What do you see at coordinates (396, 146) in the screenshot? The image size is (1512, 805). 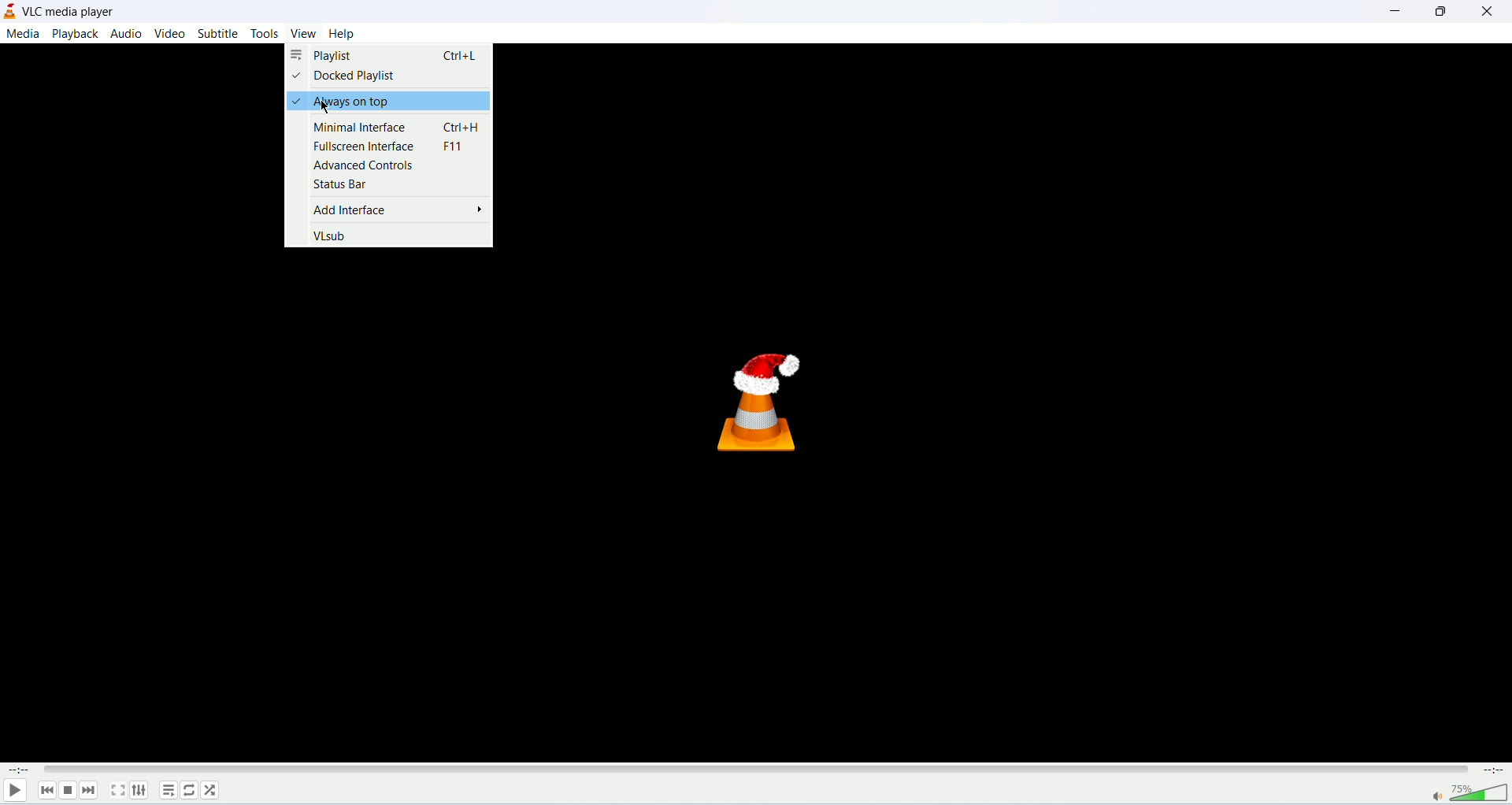 I see `fullscreen interface` at bounding box center [396, 146].